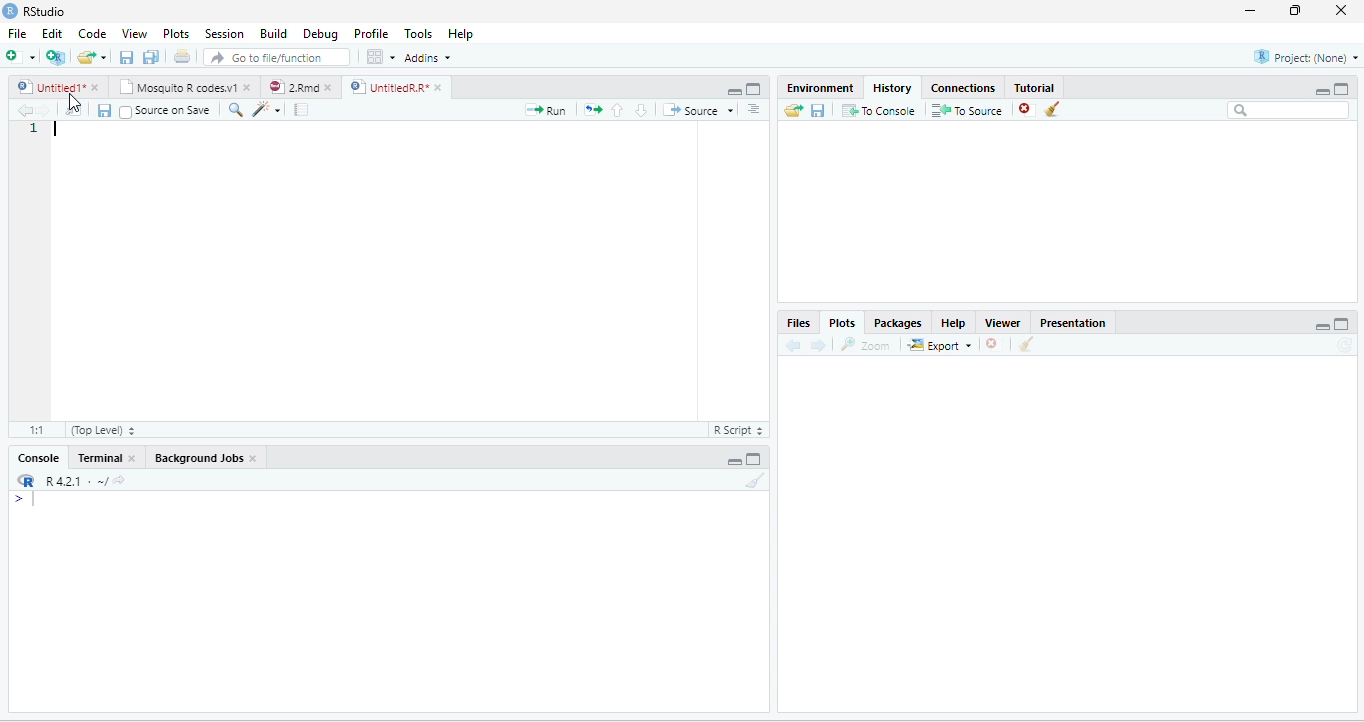  Describe the element at coordinates (939, 345) in the screenshot. I see `Export` at that location.